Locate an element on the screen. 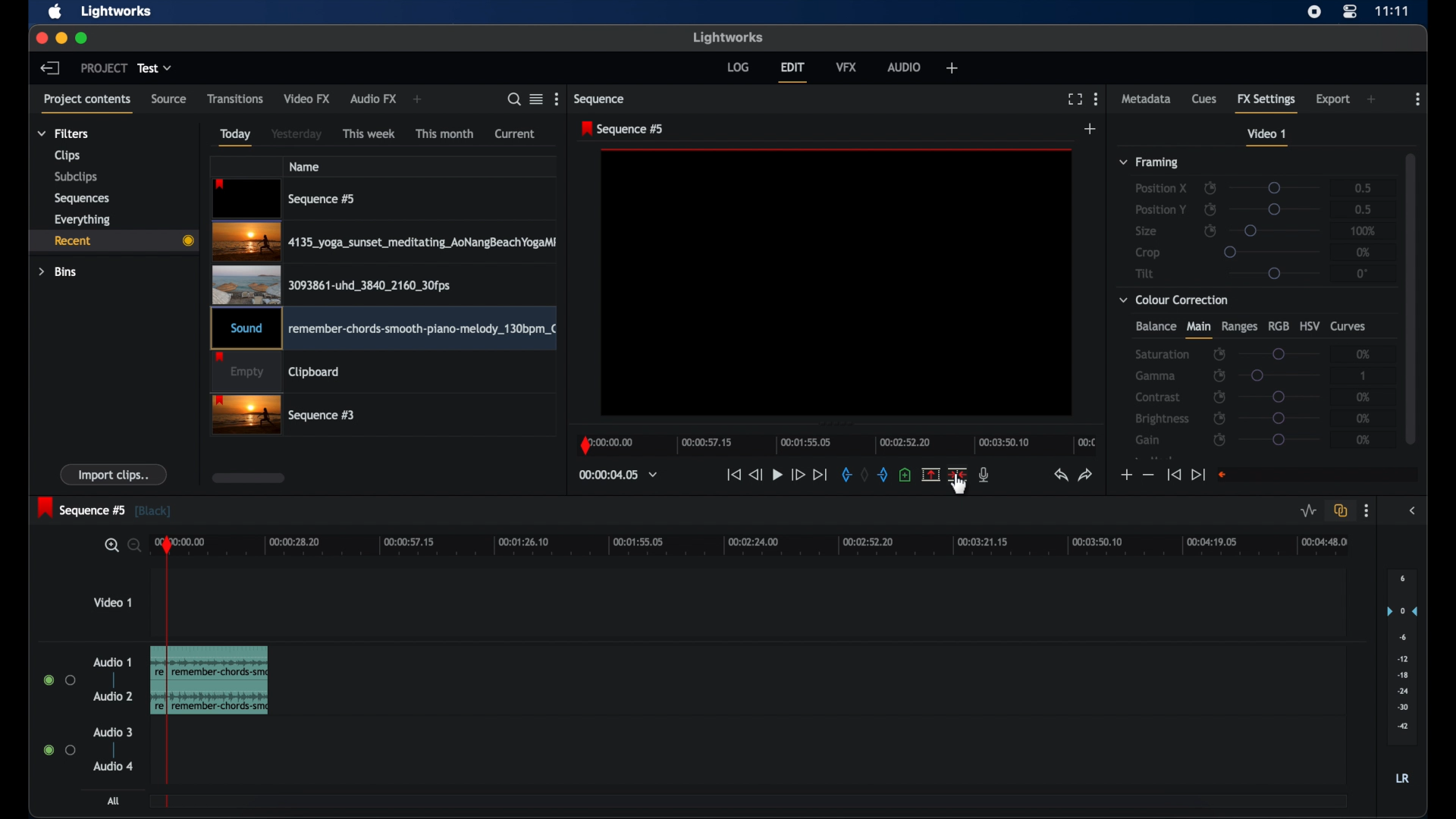 Image resolution: width=1456 pixels, height=819 pixels. sequences is located at coordinates (83, 198).